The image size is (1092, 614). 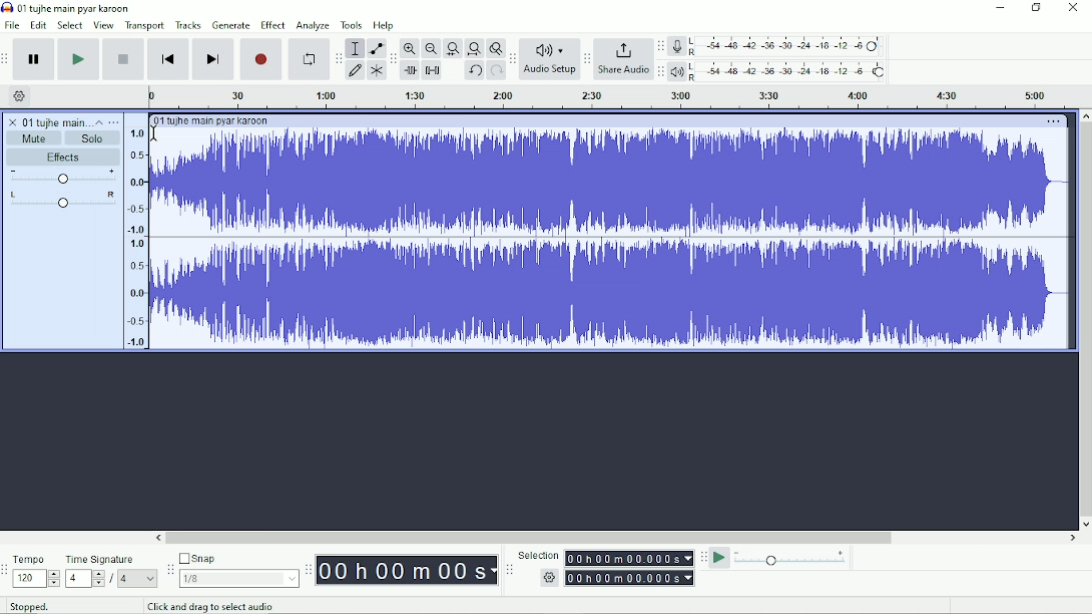 I want to click on 00 h 00 m 00.00s, so click(x=407, y=571).